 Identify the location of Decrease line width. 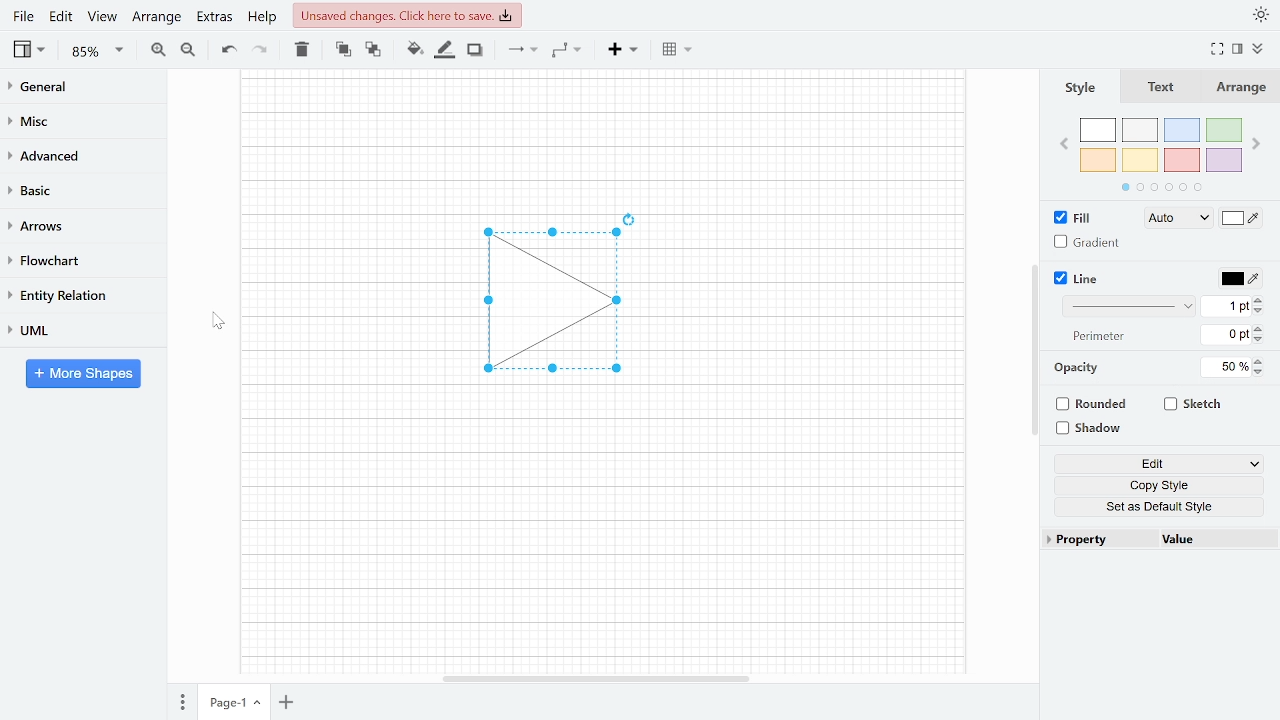
(1261, 310).